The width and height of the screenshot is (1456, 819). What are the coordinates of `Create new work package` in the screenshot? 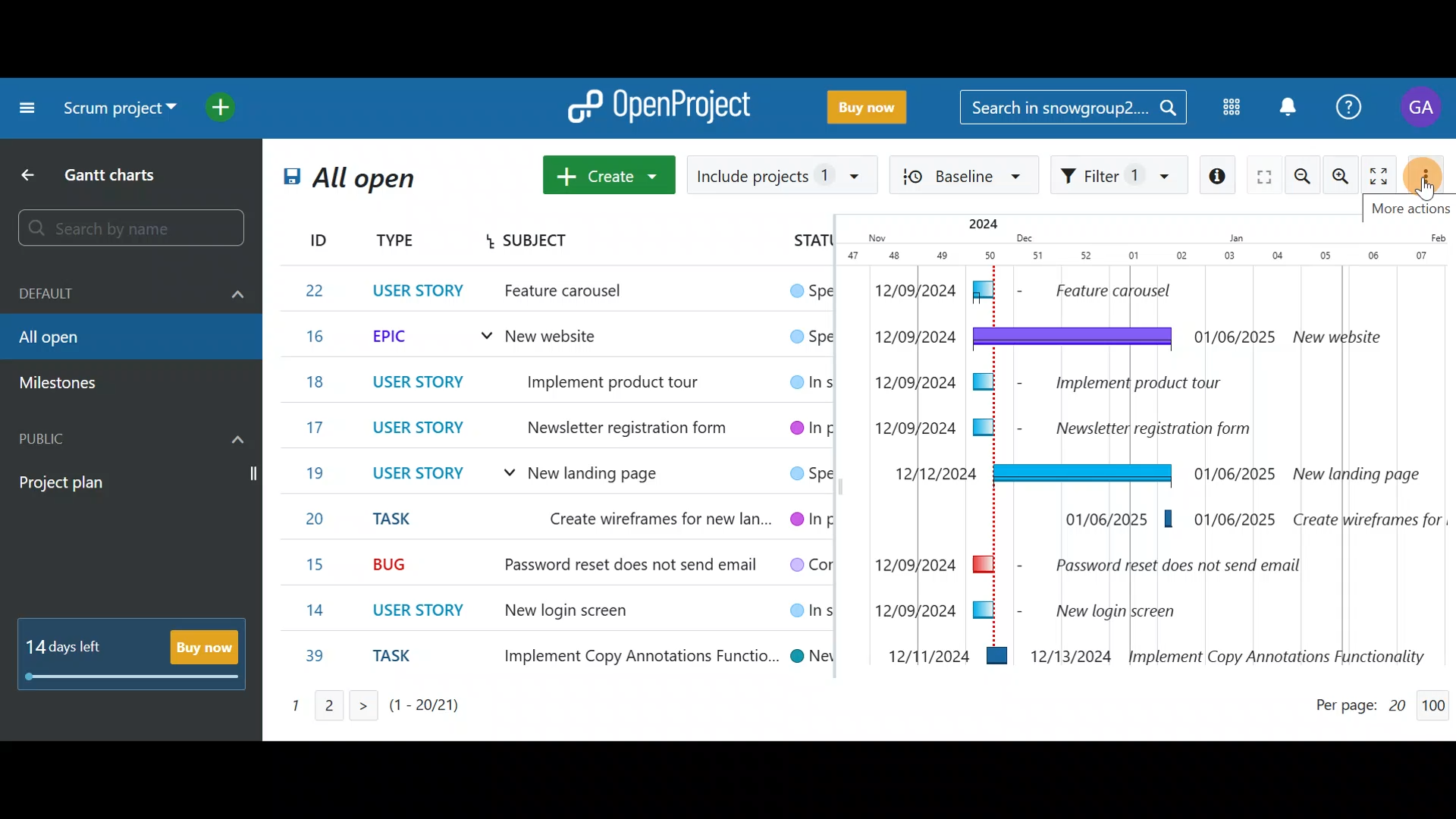 It's located at (610, 173).